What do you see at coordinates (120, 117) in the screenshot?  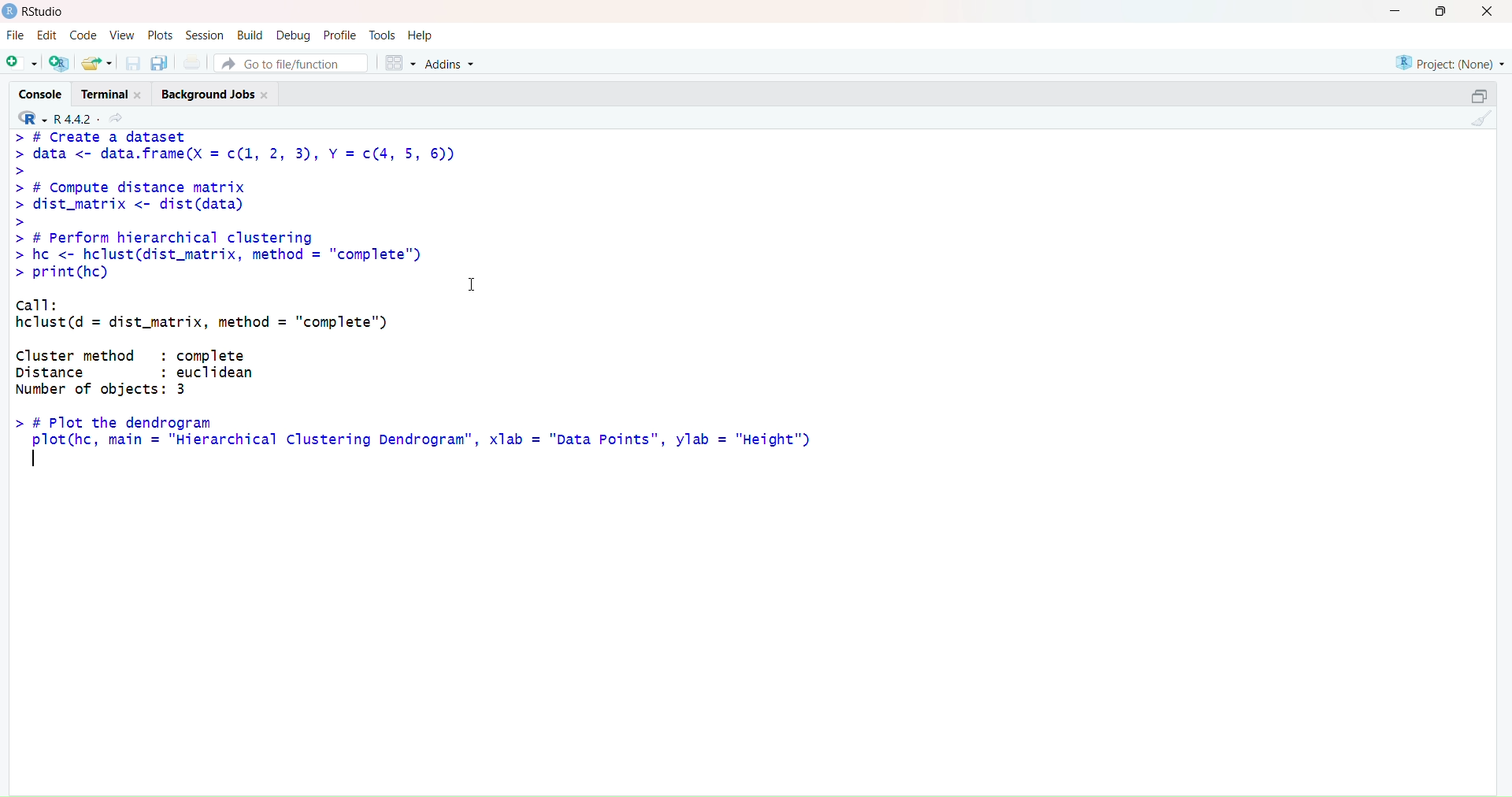 I see ` View the current working directory` at bounding box center [120, 117].